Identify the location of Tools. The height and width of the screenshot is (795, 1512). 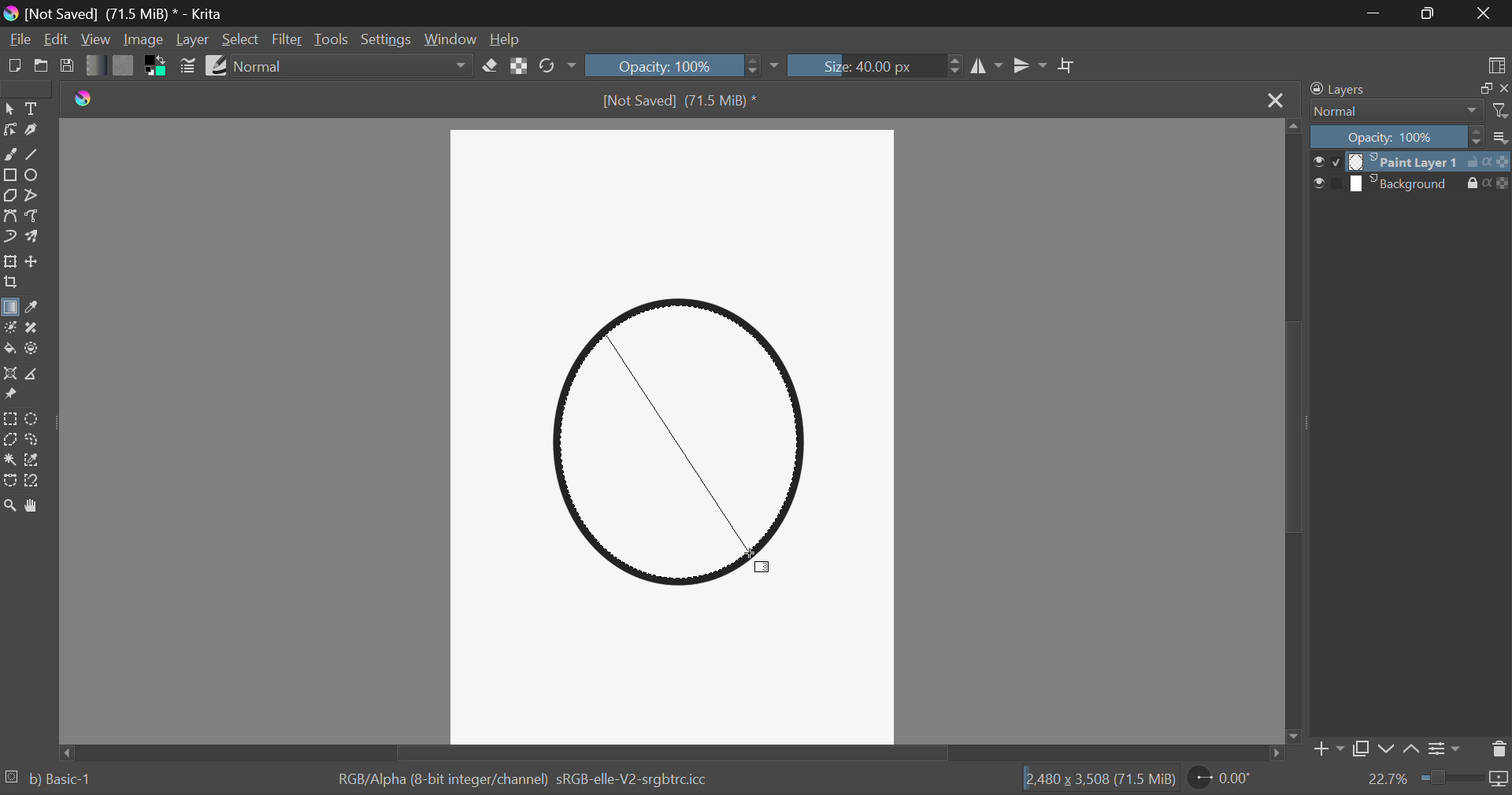
(332, 39).